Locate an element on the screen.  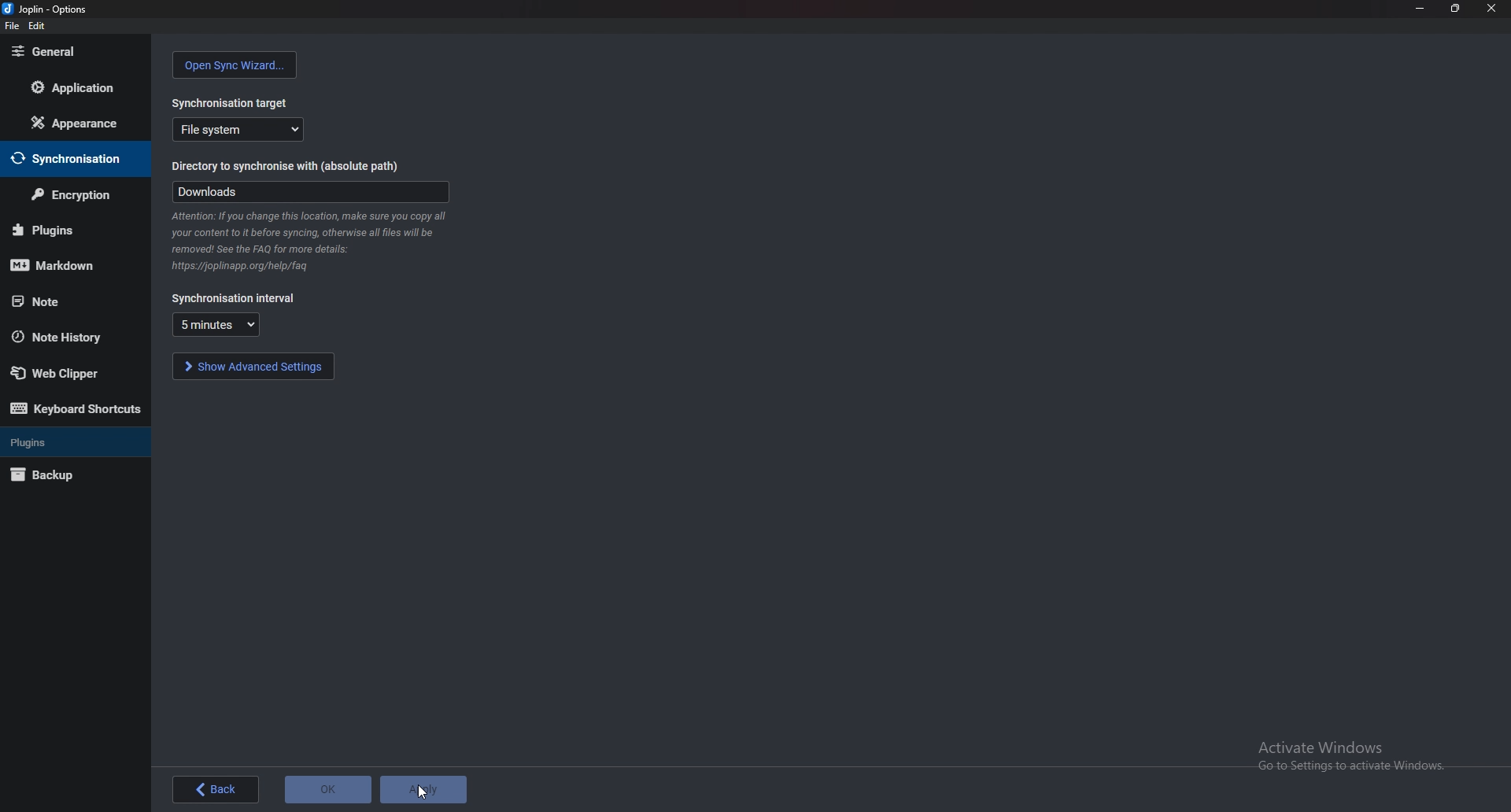
Directory to synchronise with Absolute path is located at coordinates (294, 168).